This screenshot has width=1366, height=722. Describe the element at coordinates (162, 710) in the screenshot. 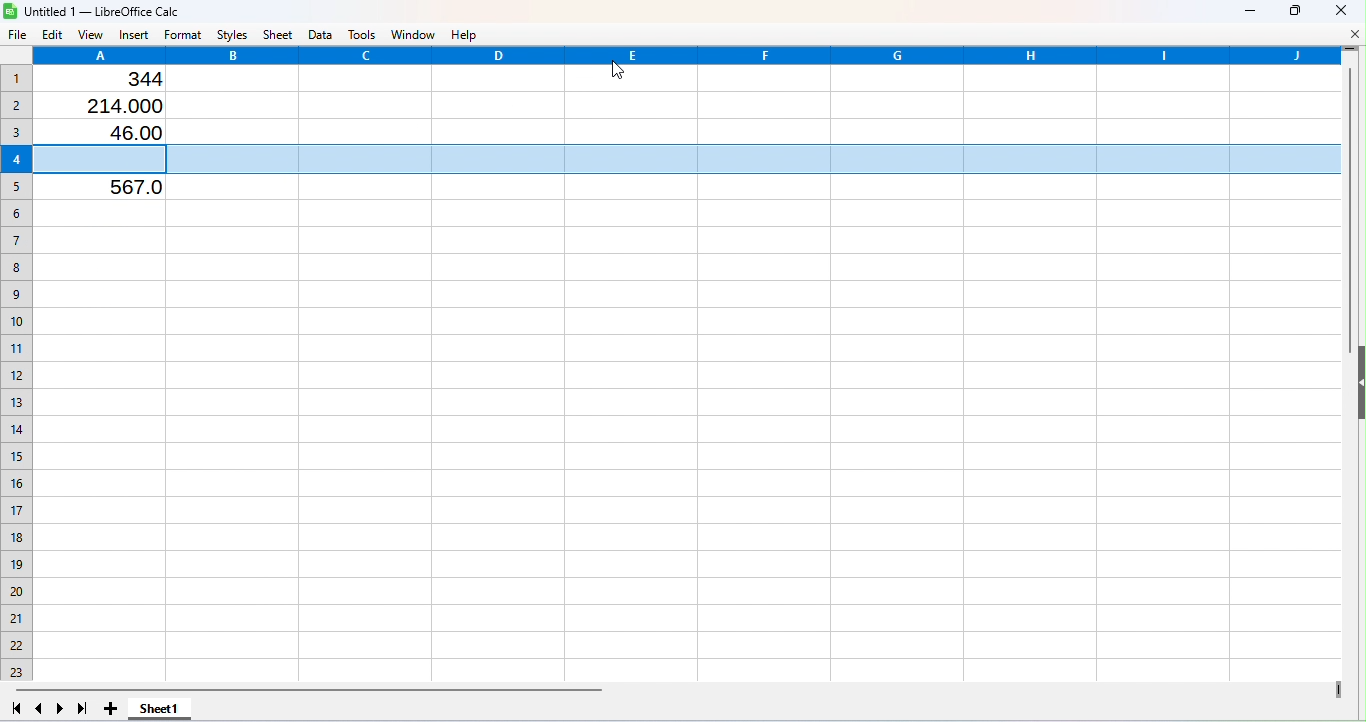

I see `Sheet1` at that location.